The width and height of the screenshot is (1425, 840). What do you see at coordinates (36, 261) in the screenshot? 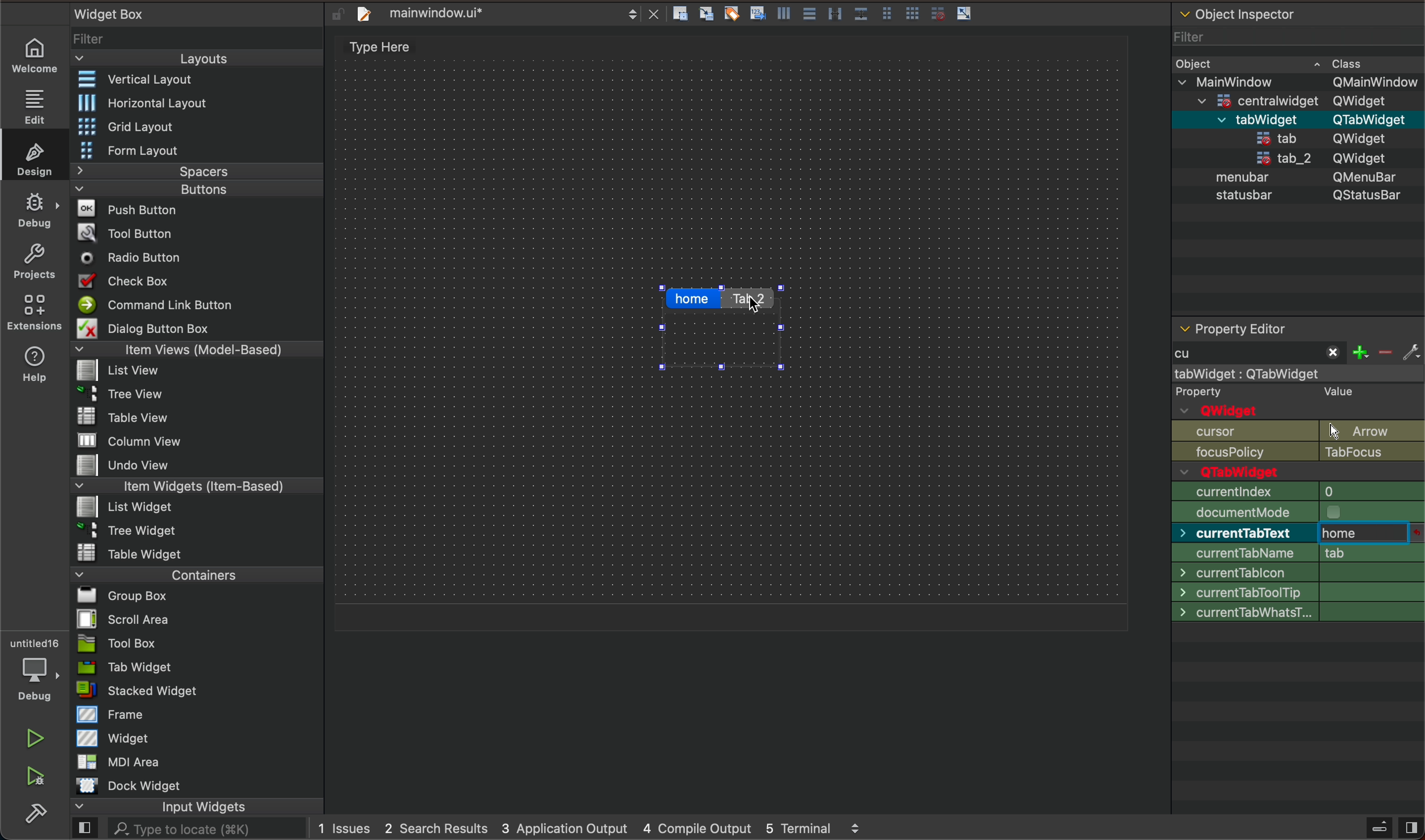
I see `projects` at bounding box center [36, 261].